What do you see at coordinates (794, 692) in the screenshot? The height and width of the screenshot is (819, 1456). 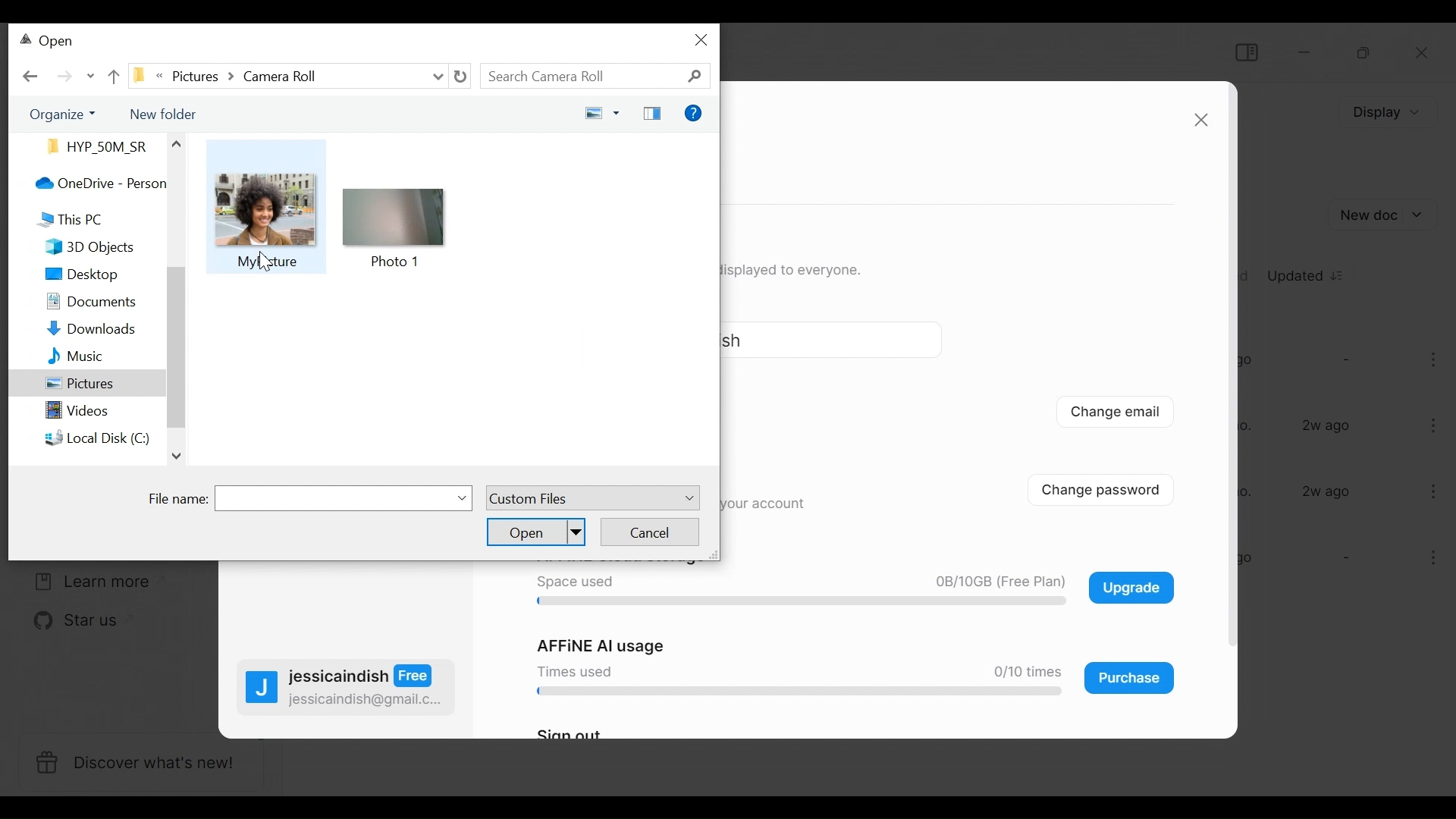 I see `progress bar` at bounding box center [794, 692].